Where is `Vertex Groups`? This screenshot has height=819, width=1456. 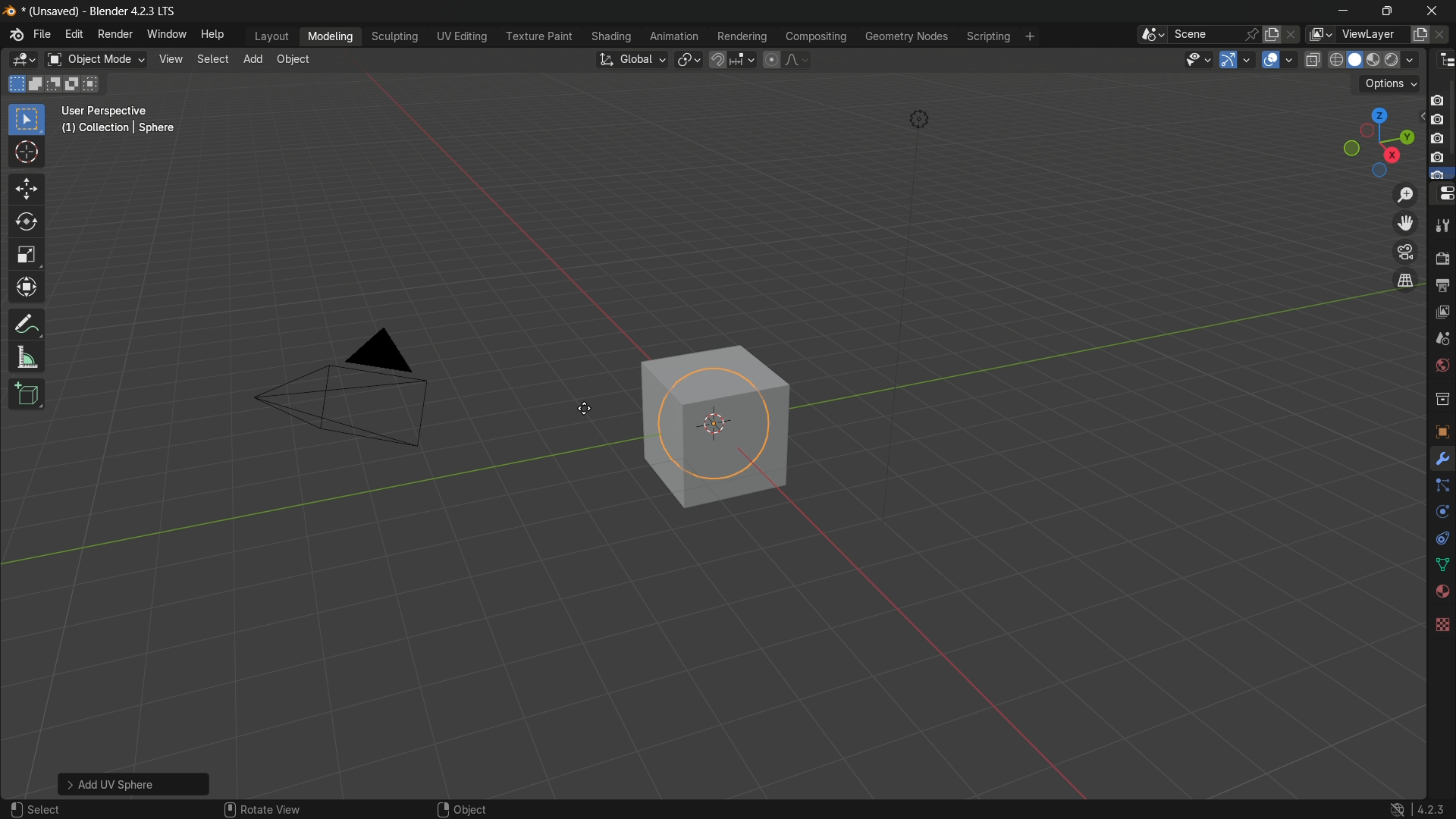
Vertex Groups is located at coordinates (1442, 589).